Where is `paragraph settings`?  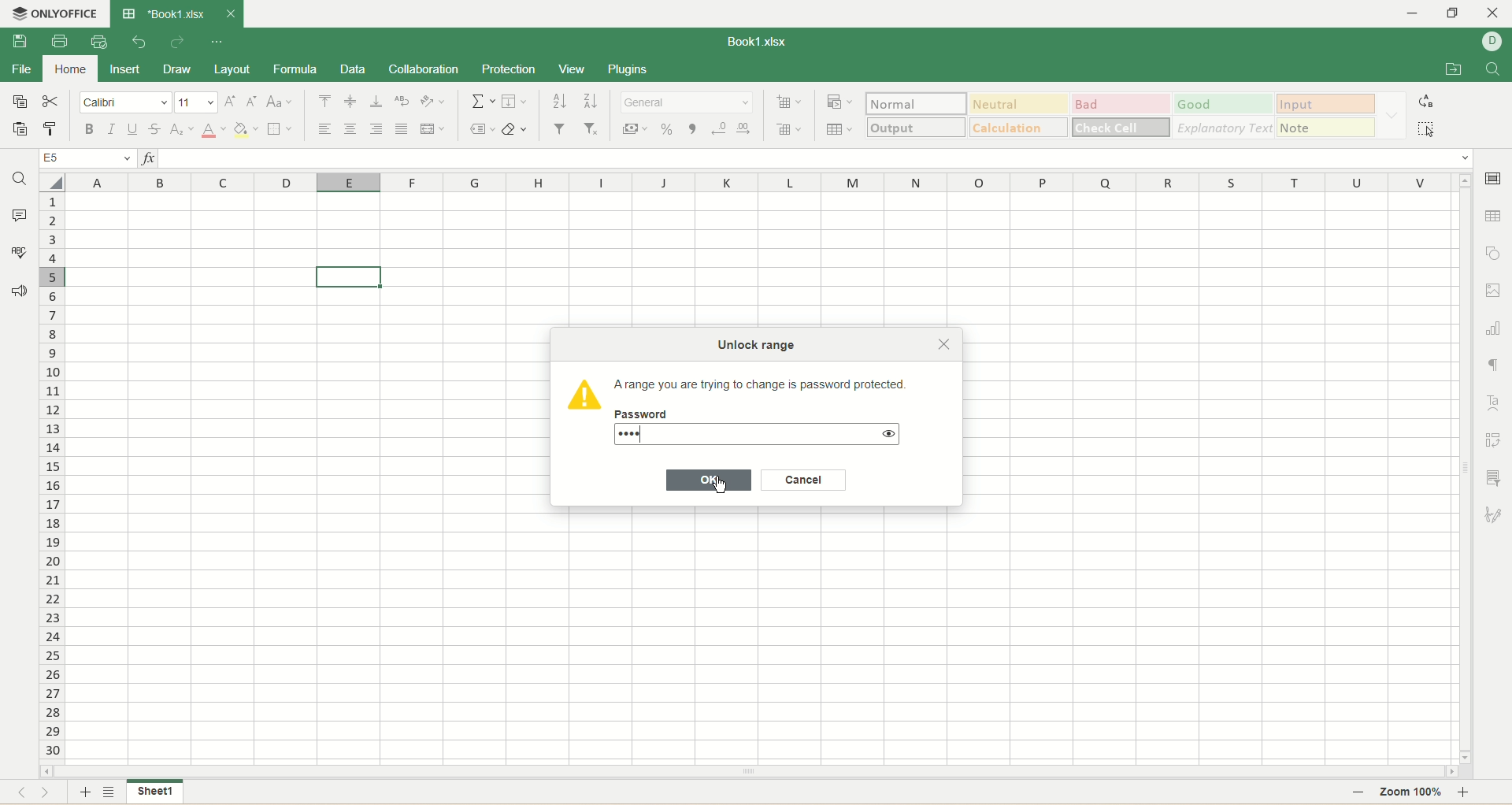
paragraph settings is located at coordinates (1495, 367).